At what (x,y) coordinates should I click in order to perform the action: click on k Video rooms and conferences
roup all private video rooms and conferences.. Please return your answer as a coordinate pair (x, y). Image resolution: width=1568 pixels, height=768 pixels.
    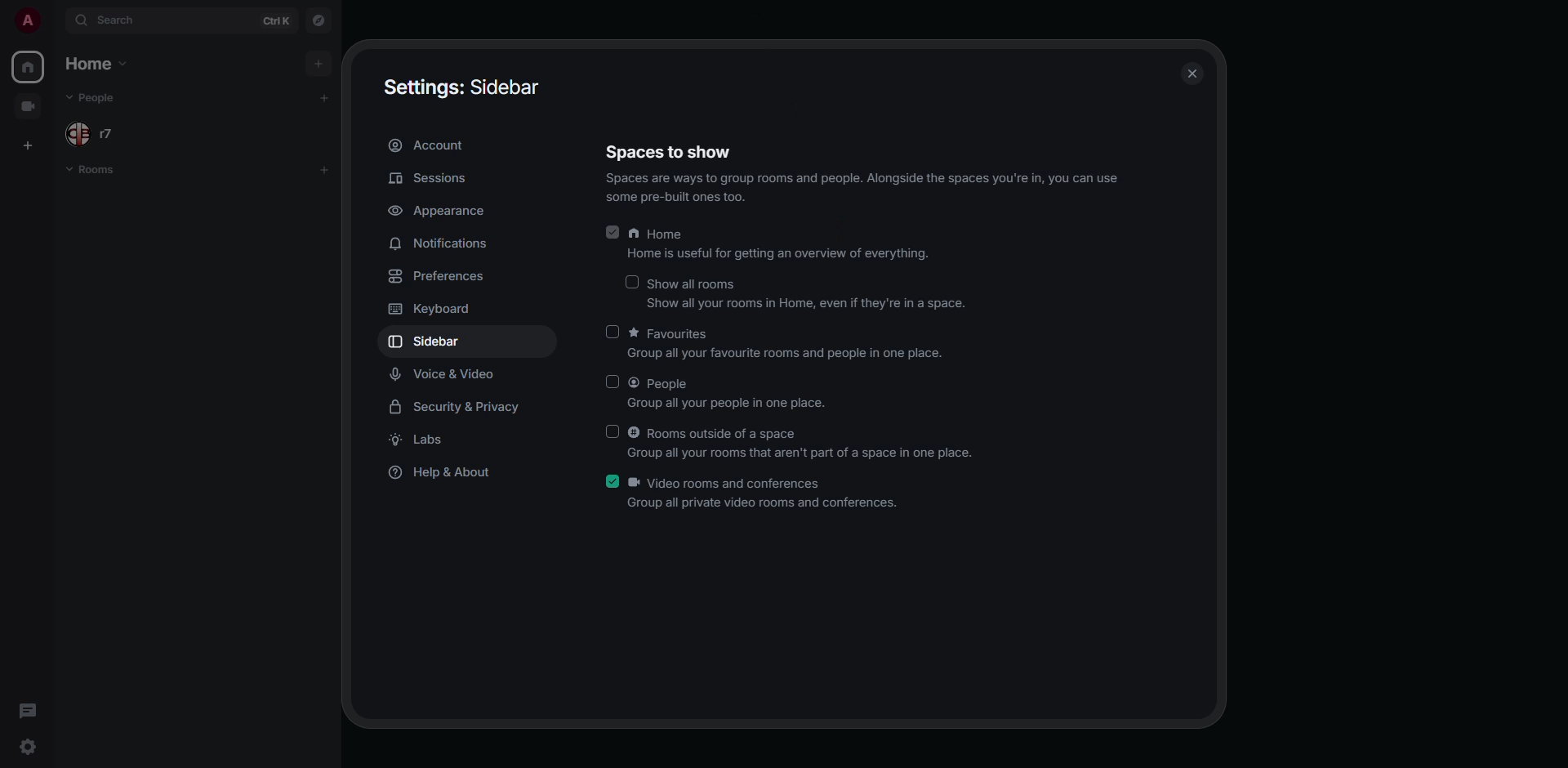
    Looking at the image, I should click on (770, 490).